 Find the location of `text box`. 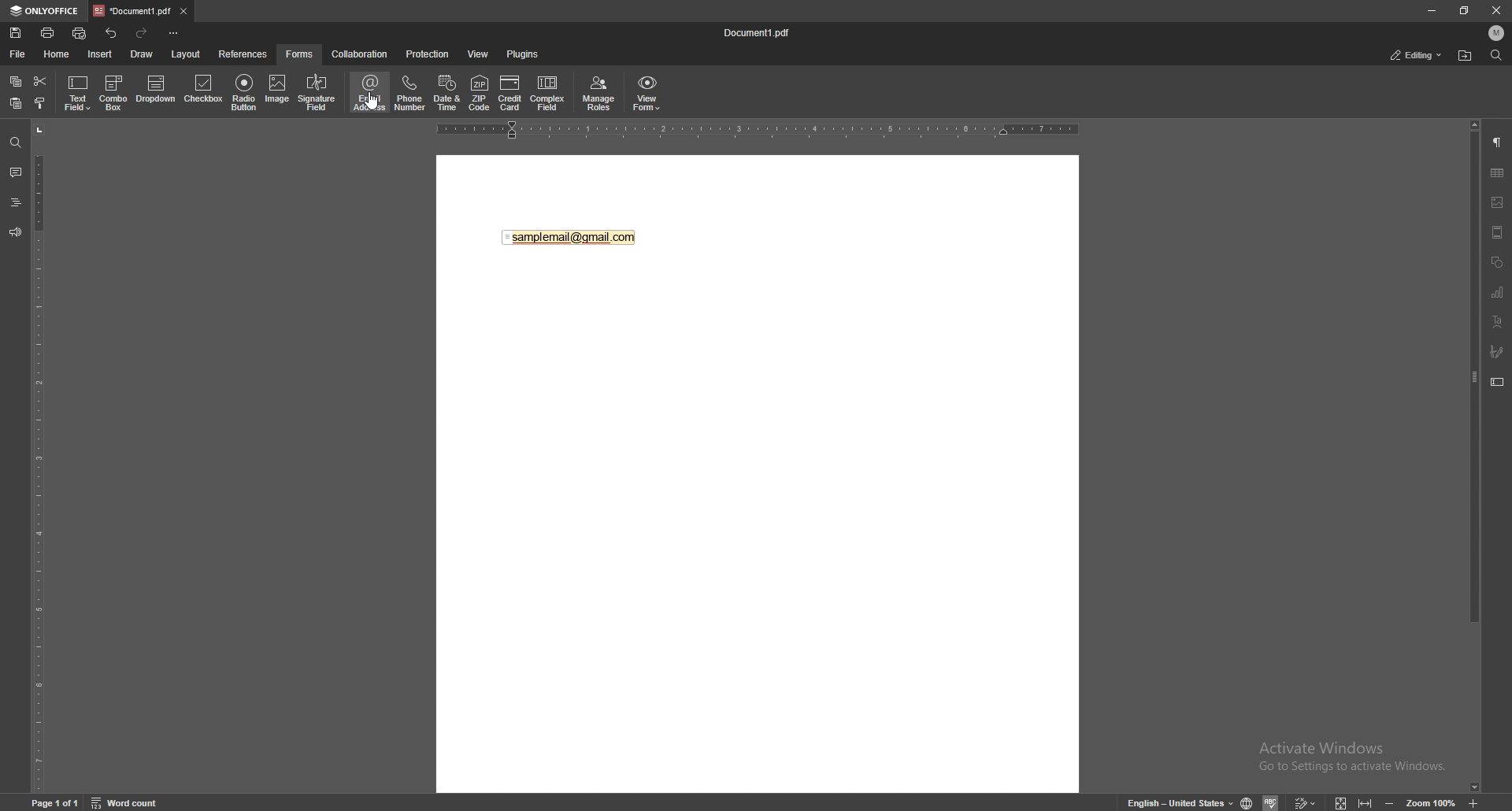

text box is located at coordinates (1499, 382).